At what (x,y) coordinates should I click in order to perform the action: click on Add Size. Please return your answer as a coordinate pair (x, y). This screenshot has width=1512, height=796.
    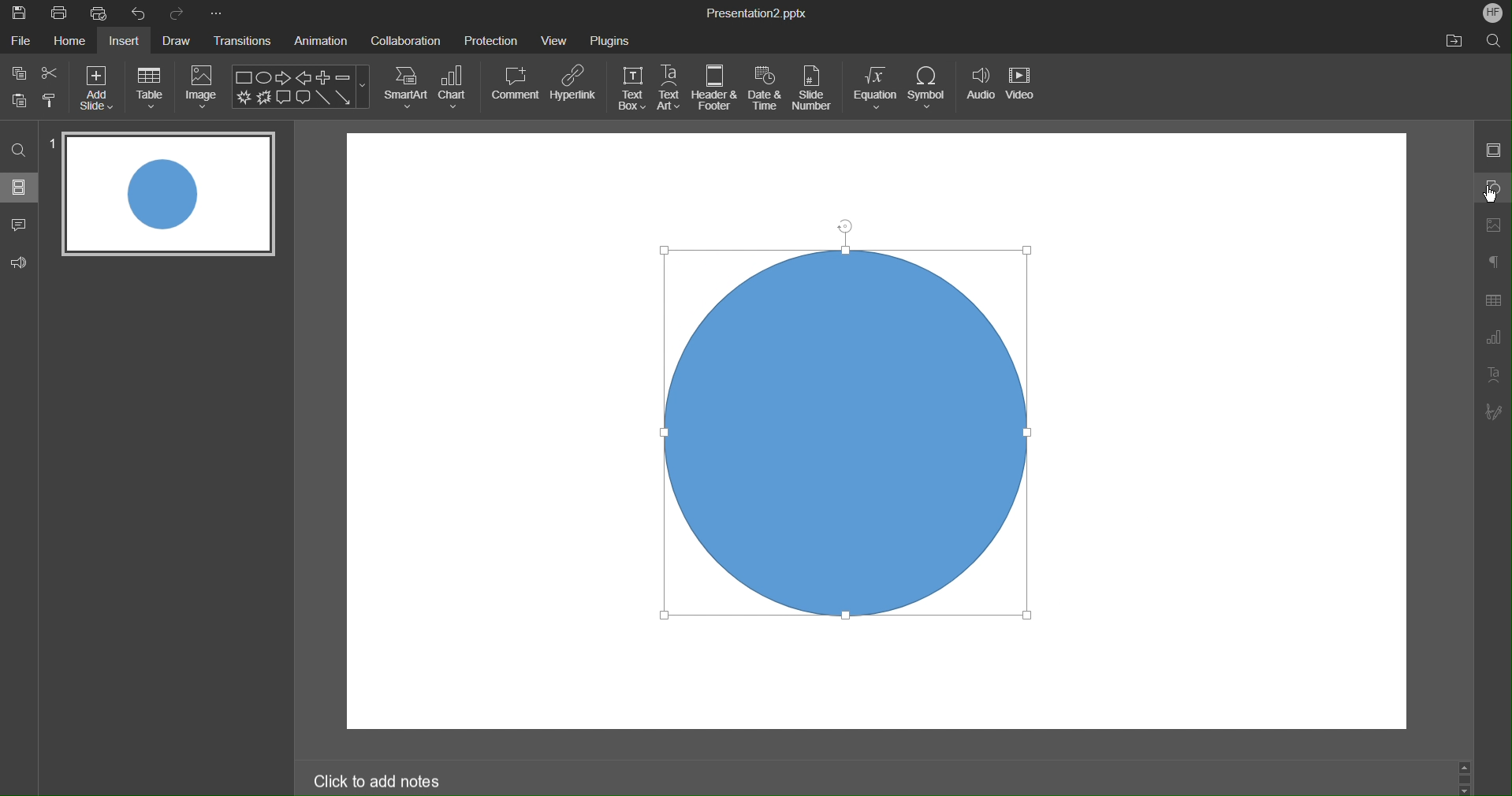
    Looking at the image, I should click on (96, 87).